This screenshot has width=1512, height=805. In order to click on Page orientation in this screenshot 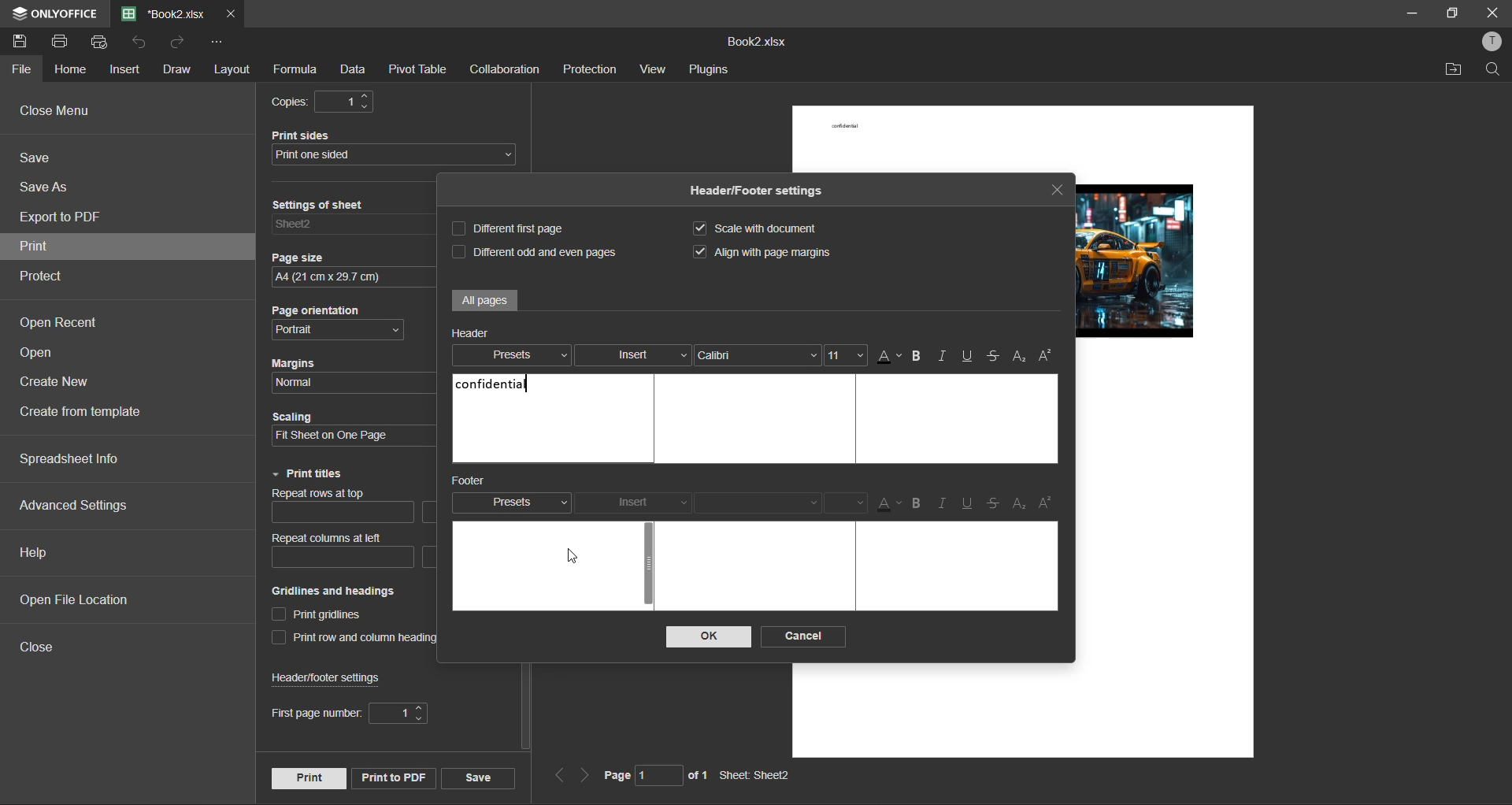, I will do `click(314, 310)`.